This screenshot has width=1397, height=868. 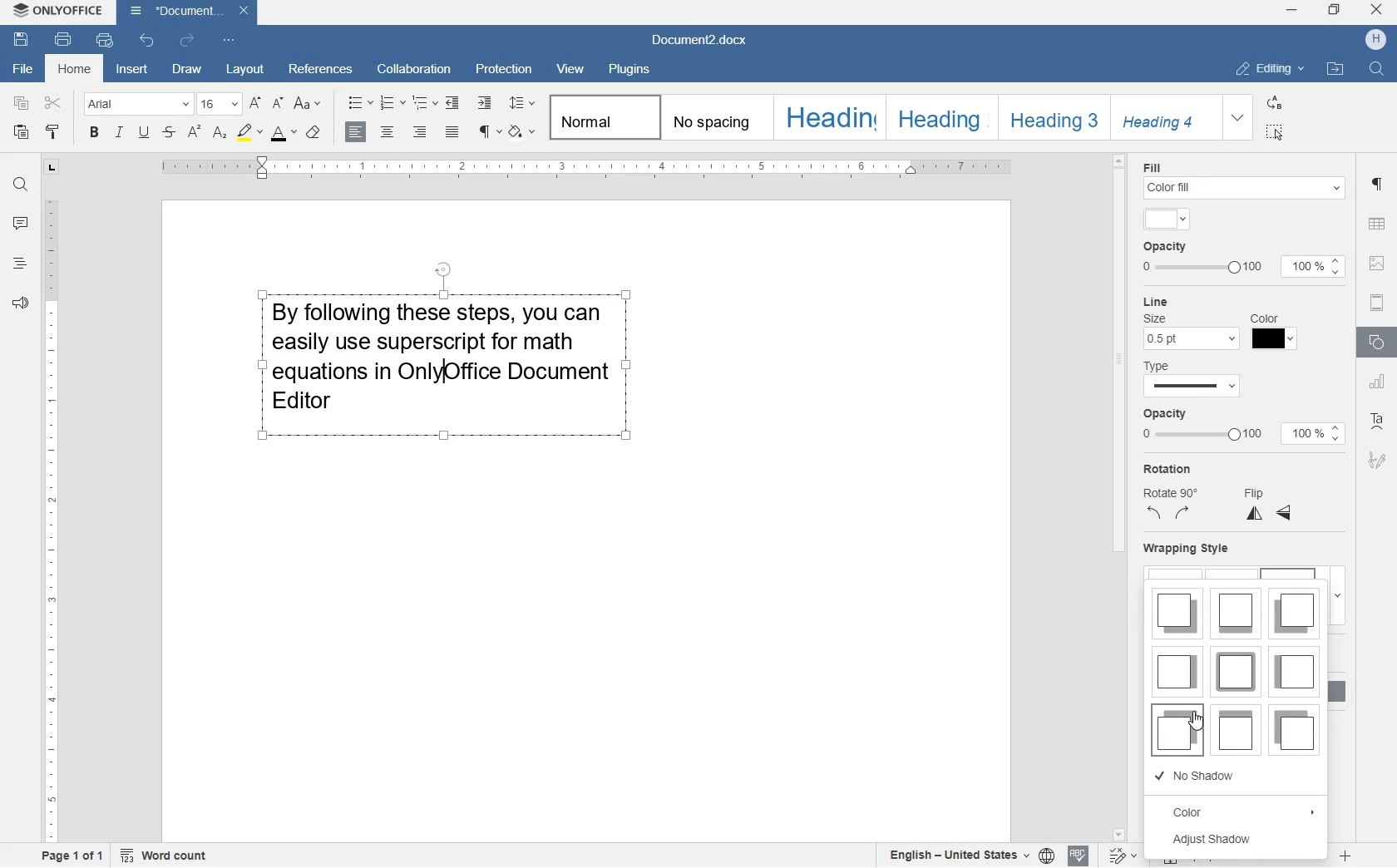 What do you see at coordinates (143, 131) in the screenshot?
I see `underline` at bounding box center [143, 131].